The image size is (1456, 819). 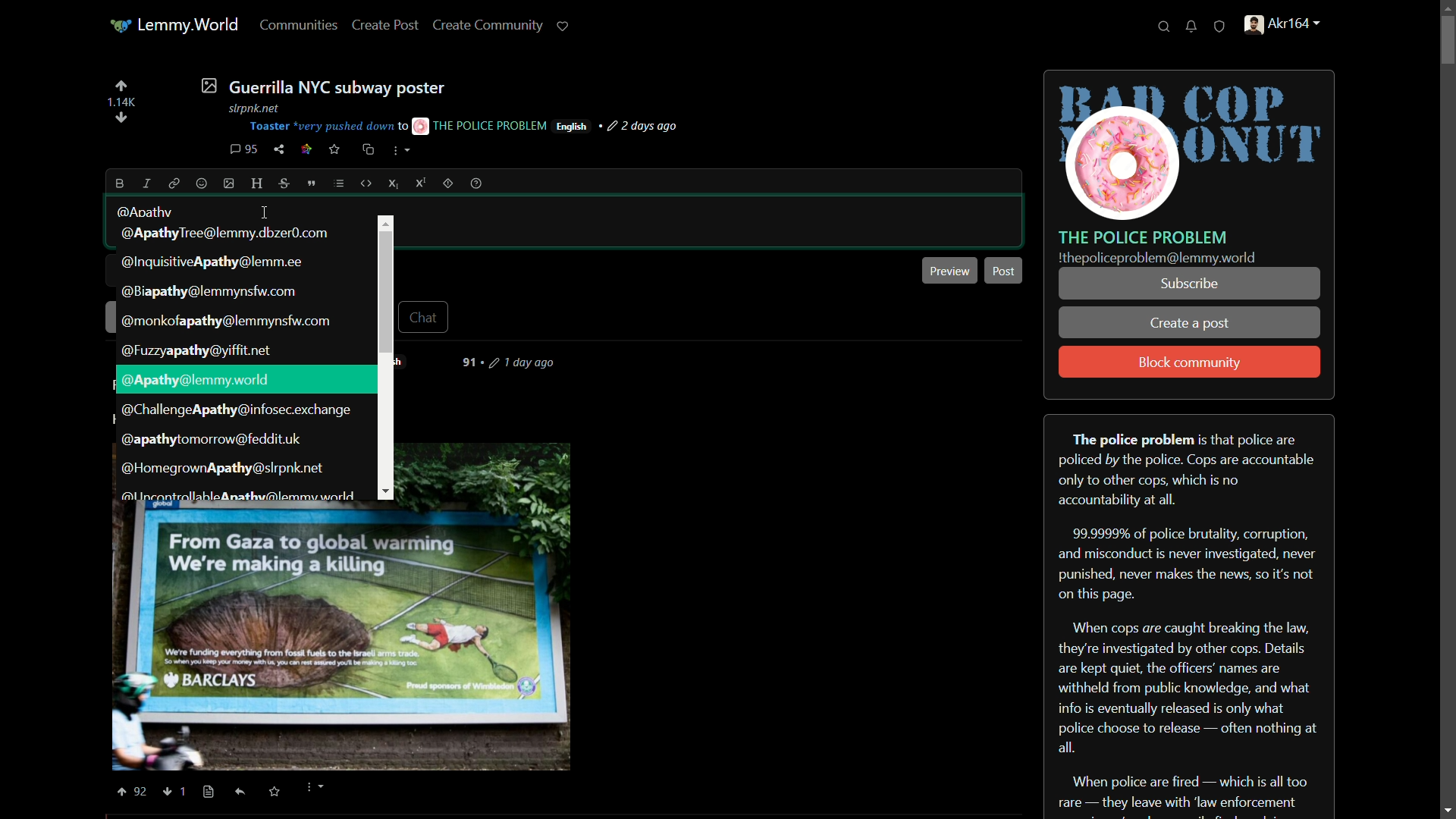 I want to click on , so click(x=385, y=222).